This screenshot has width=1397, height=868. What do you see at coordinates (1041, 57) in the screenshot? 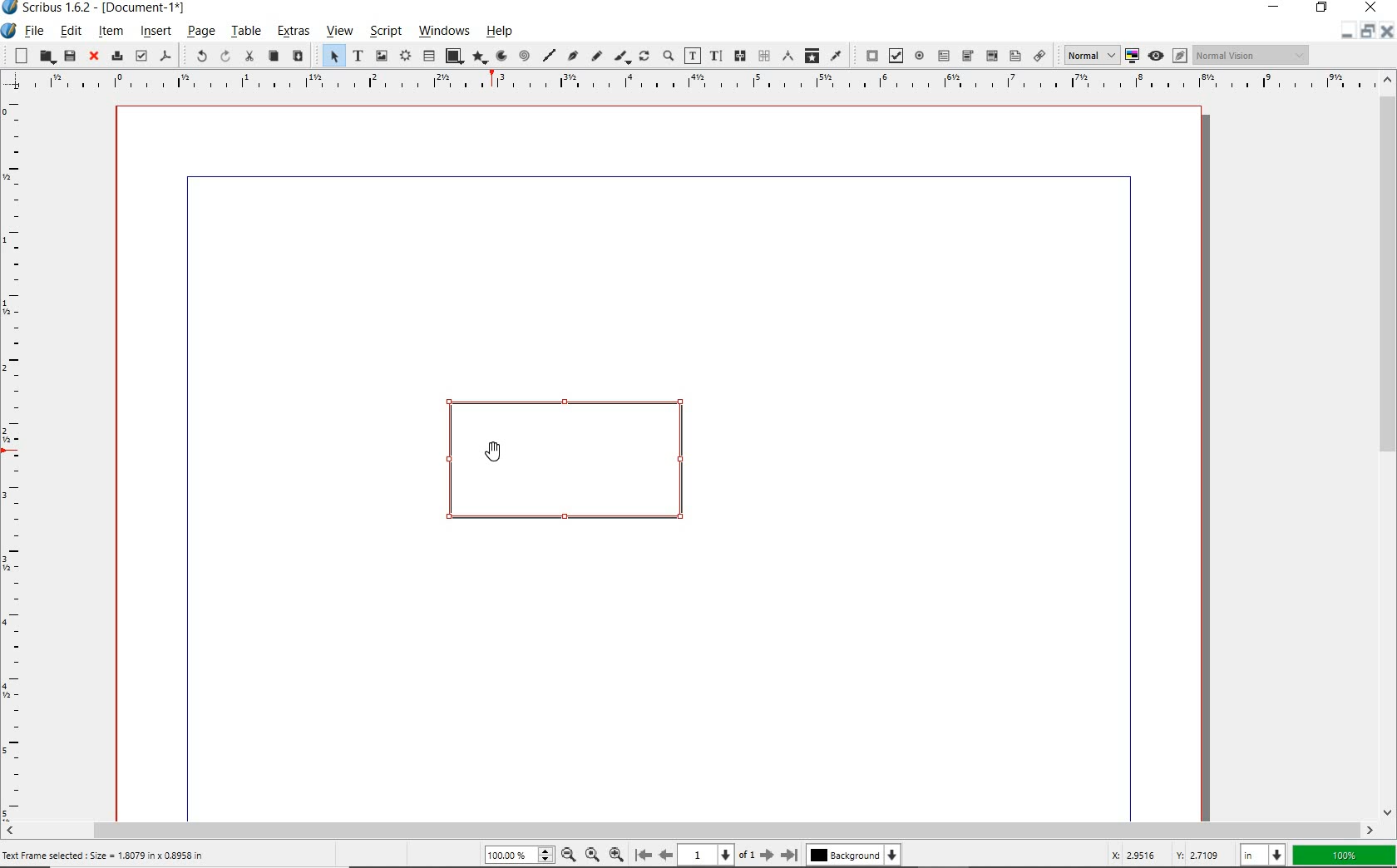
I see `link annotation` at bounding box center [1041, 57].